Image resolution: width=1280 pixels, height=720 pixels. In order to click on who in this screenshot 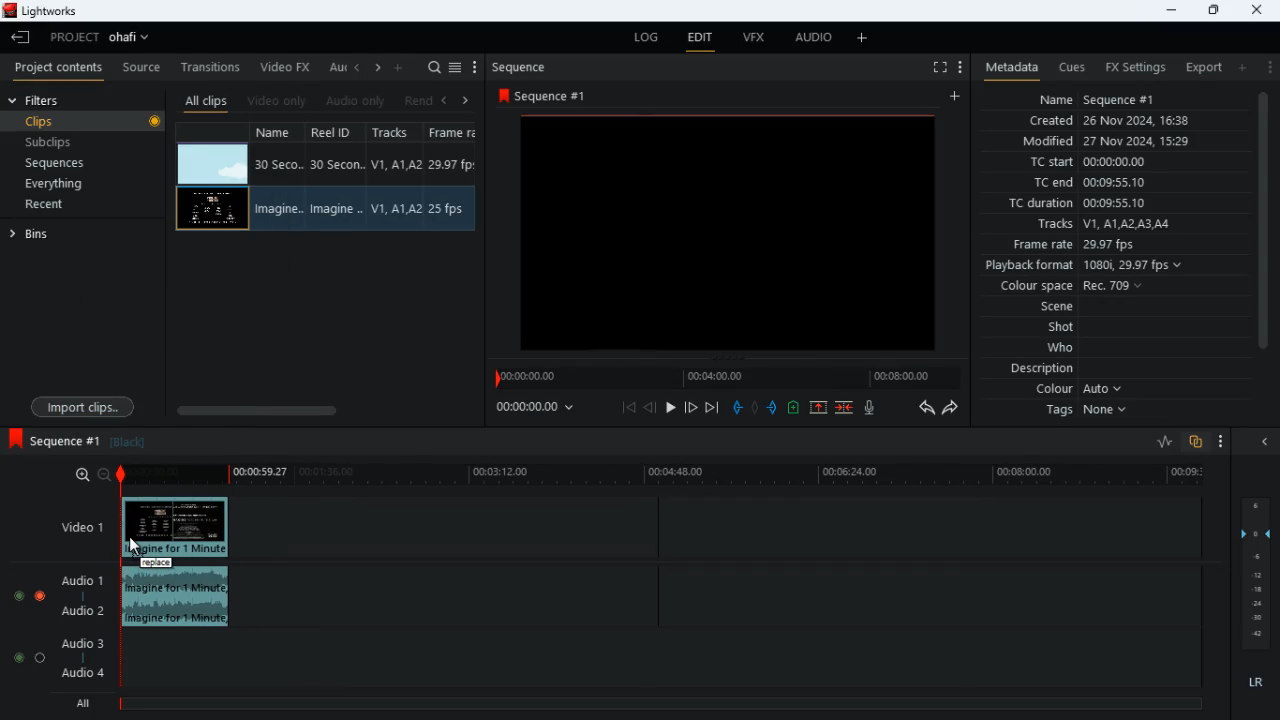, I will do `click(1065, 348)`.